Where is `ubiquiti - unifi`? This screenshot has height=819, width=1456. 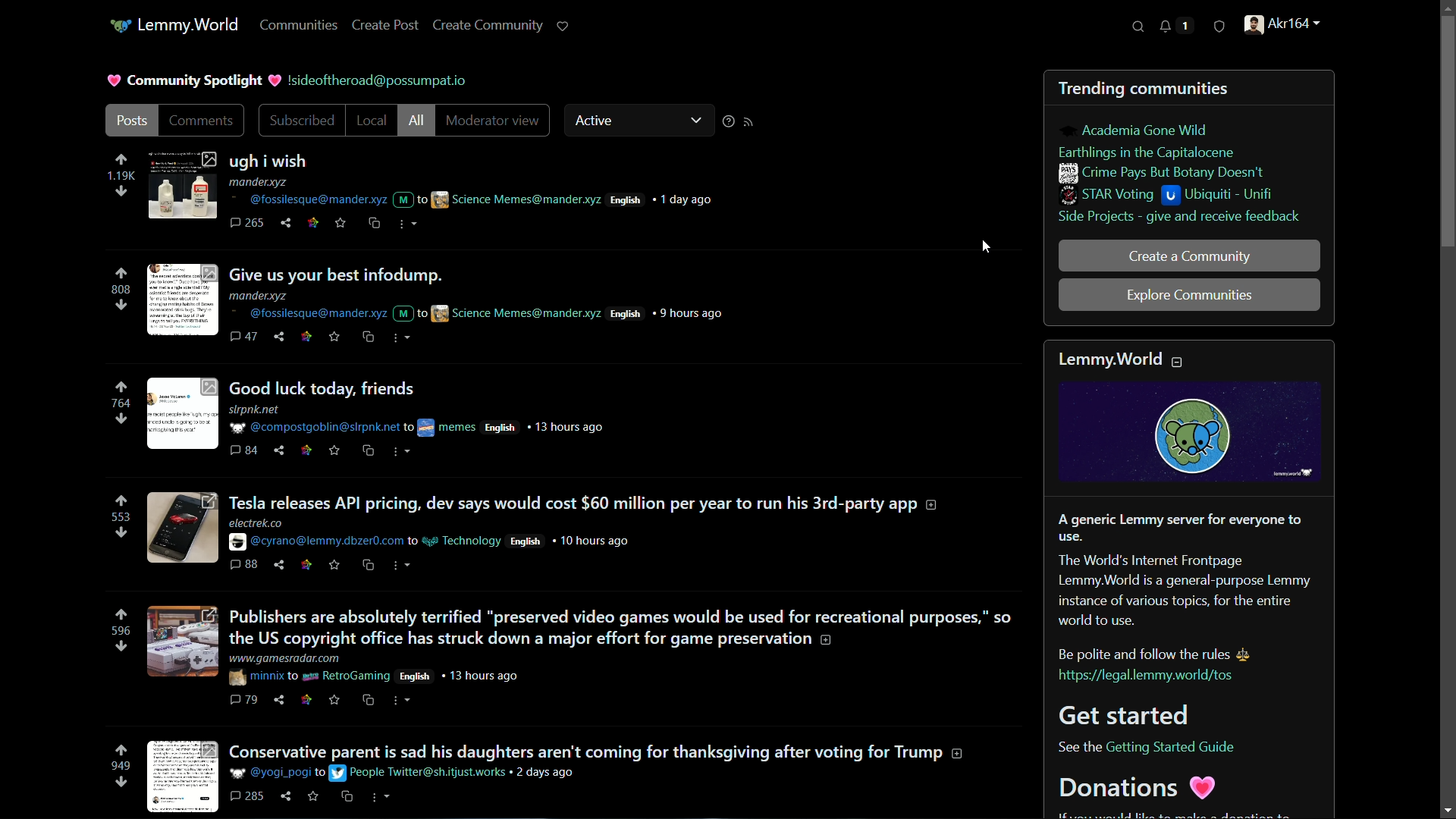 ubiquiti - unifi is located at coordinates (1222, 196).